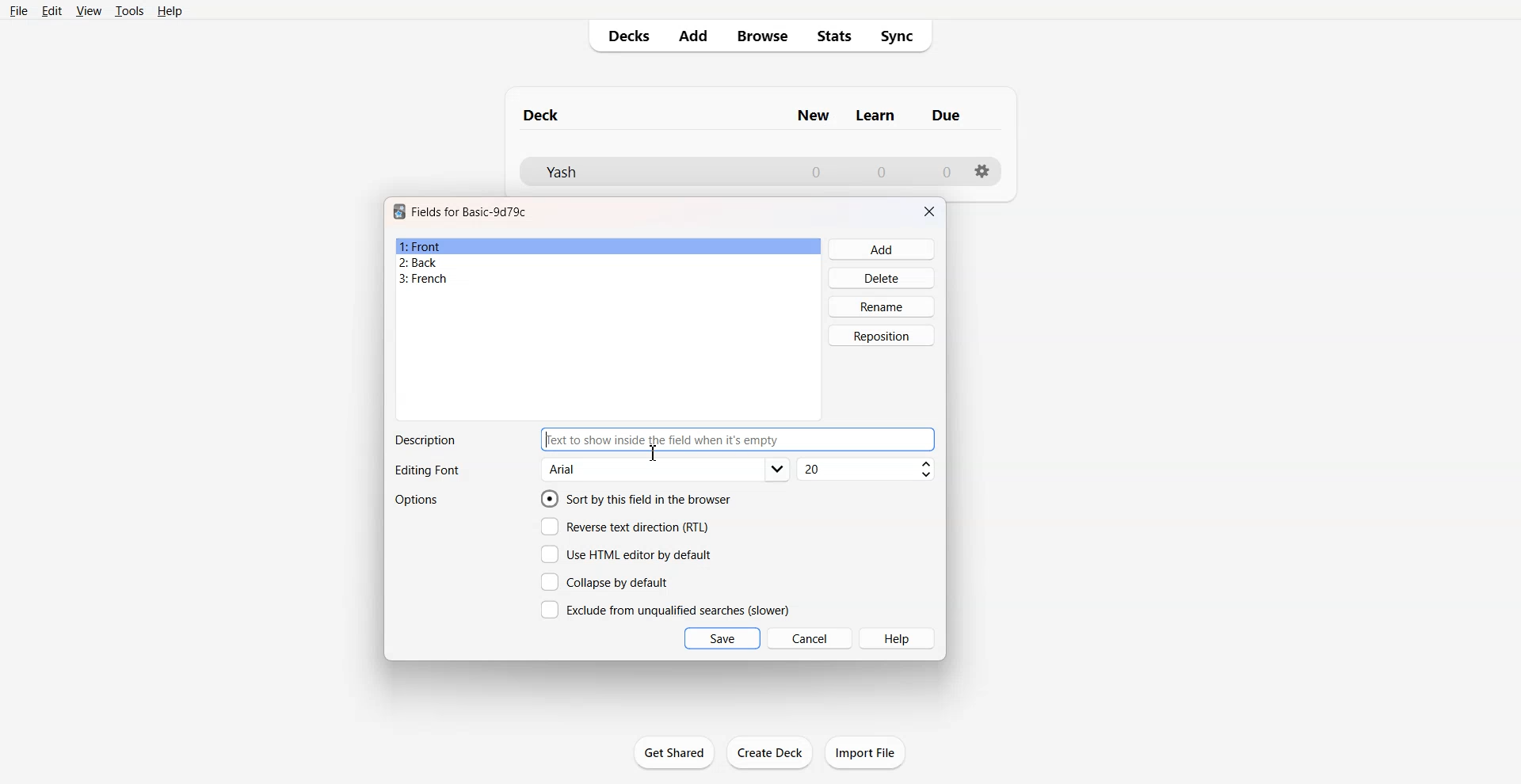 Image resolution: width=1521 pixels, height=784 pixels. I want to click on Text 1, so click(470, 211).